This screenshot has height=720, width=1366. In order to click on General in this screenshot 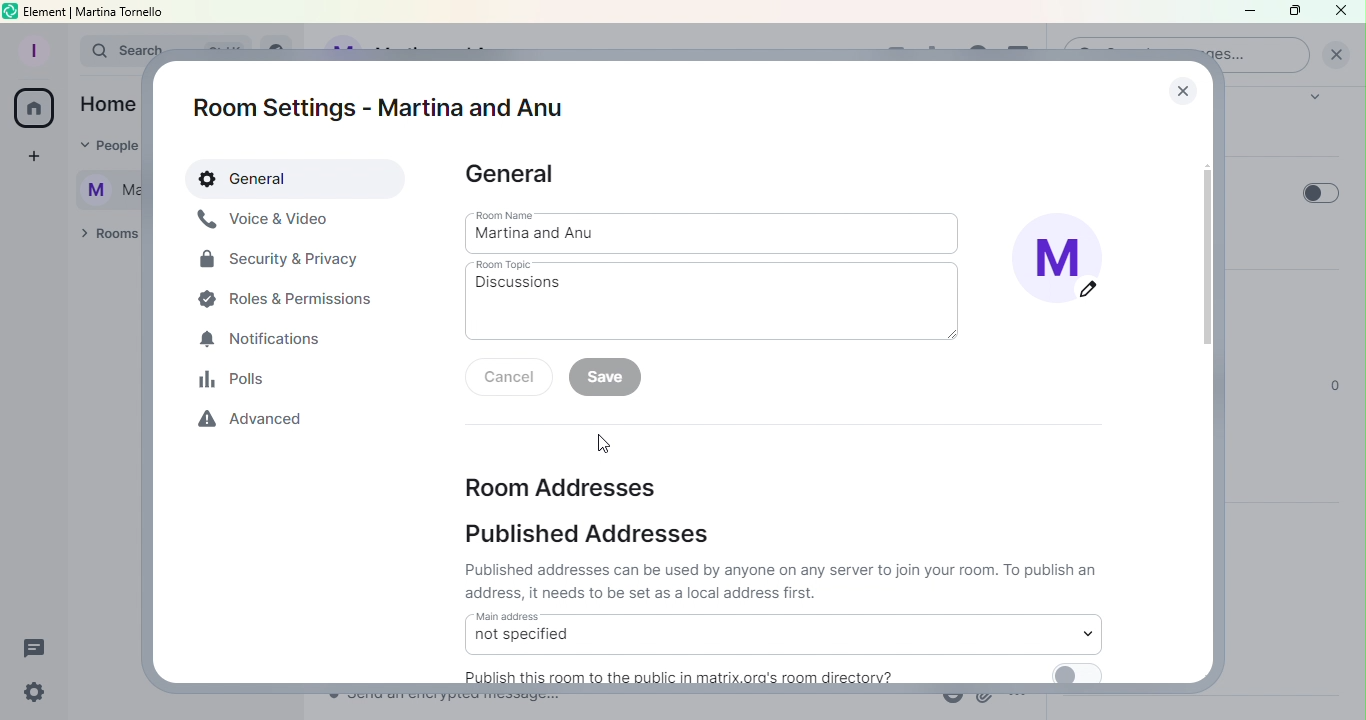, I will do `click(298, 180)`.